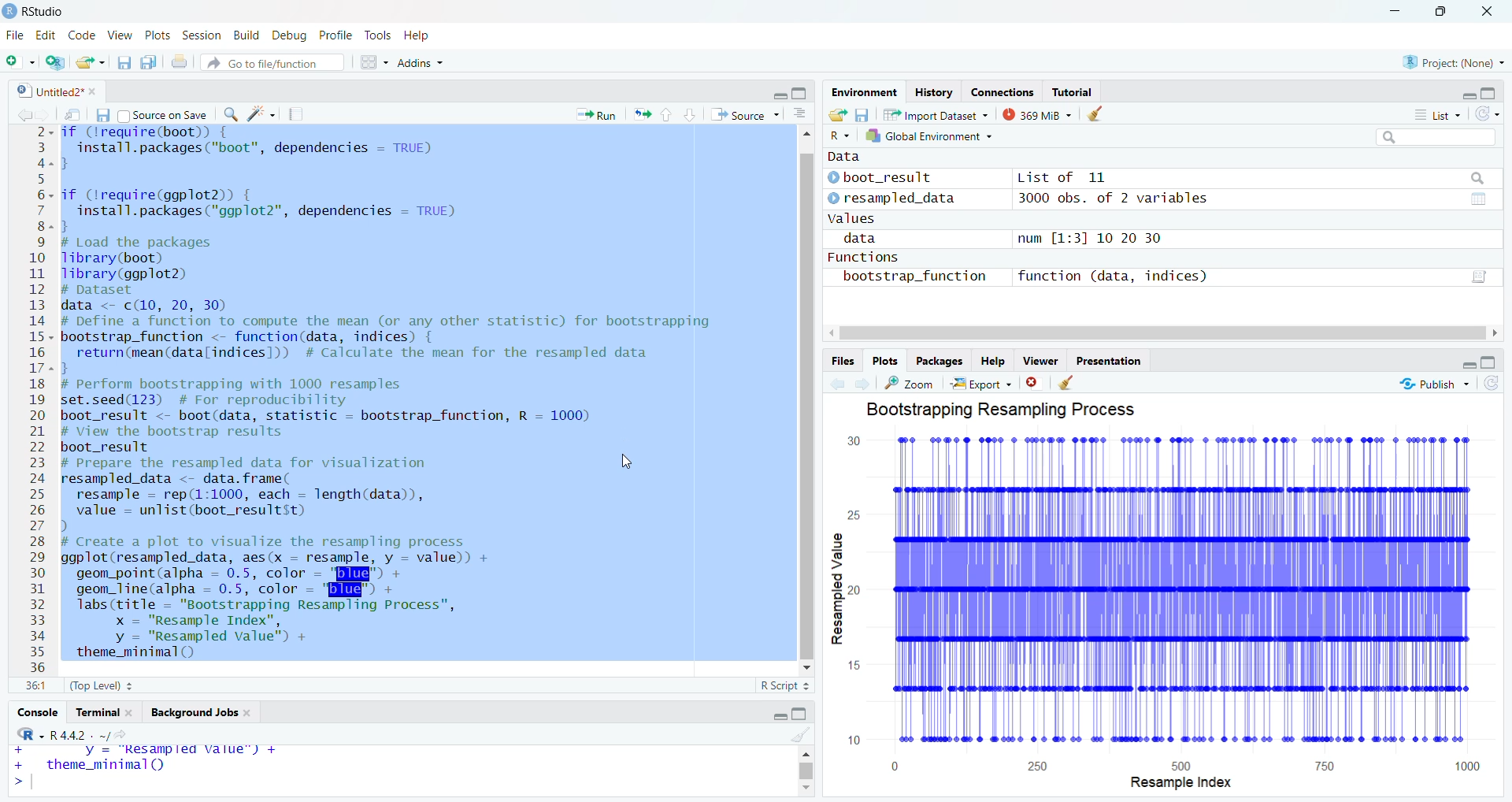 Image resolution: width=1512 pixels, height=802 pixels. I want to click on go back, so click(837, 383).